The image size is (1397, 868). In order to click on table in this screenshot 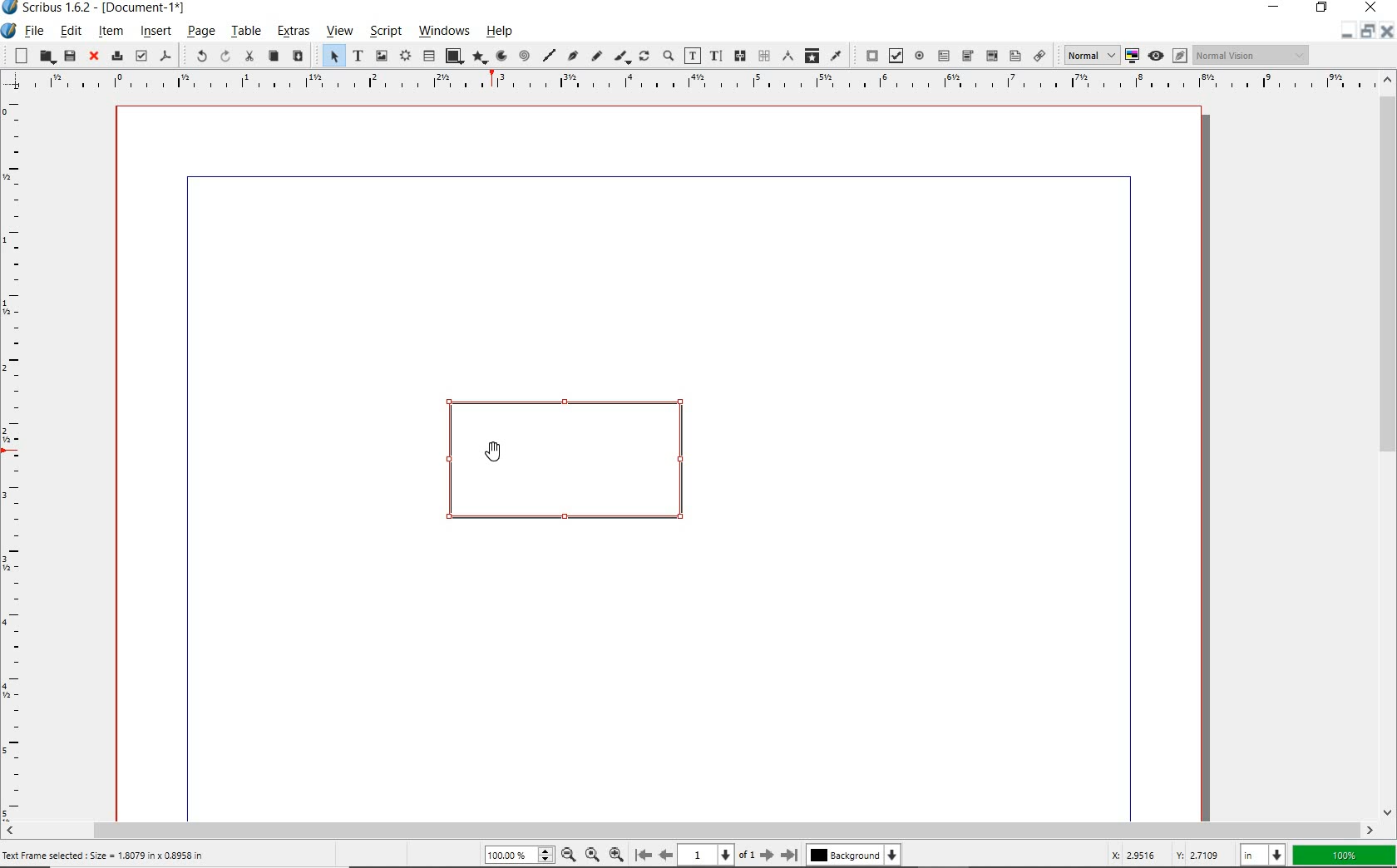, I will do `click(428, 57)`.